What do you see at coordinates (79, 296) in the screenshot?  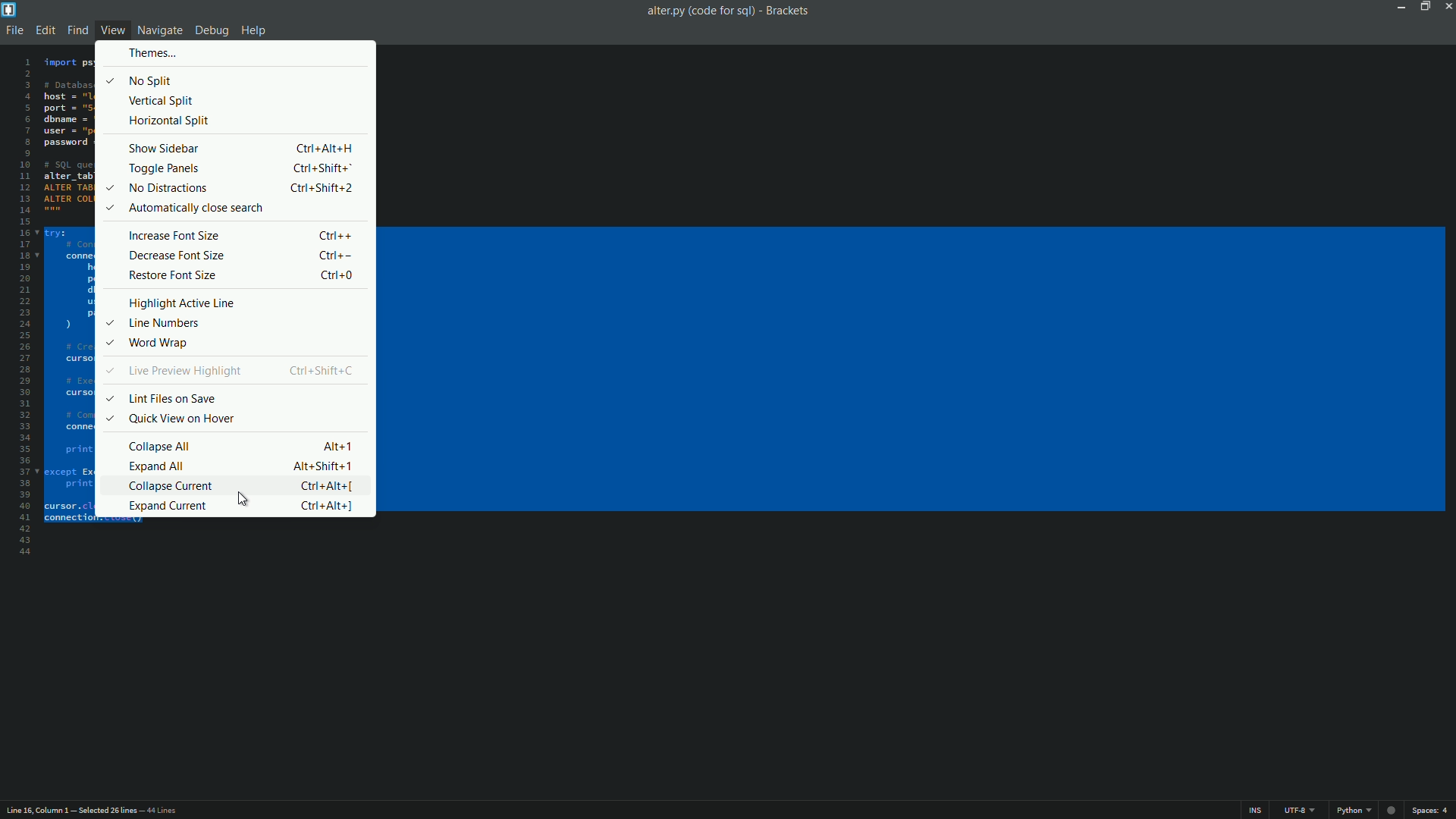 I see `code is selected` at bounding box center [79, 296].